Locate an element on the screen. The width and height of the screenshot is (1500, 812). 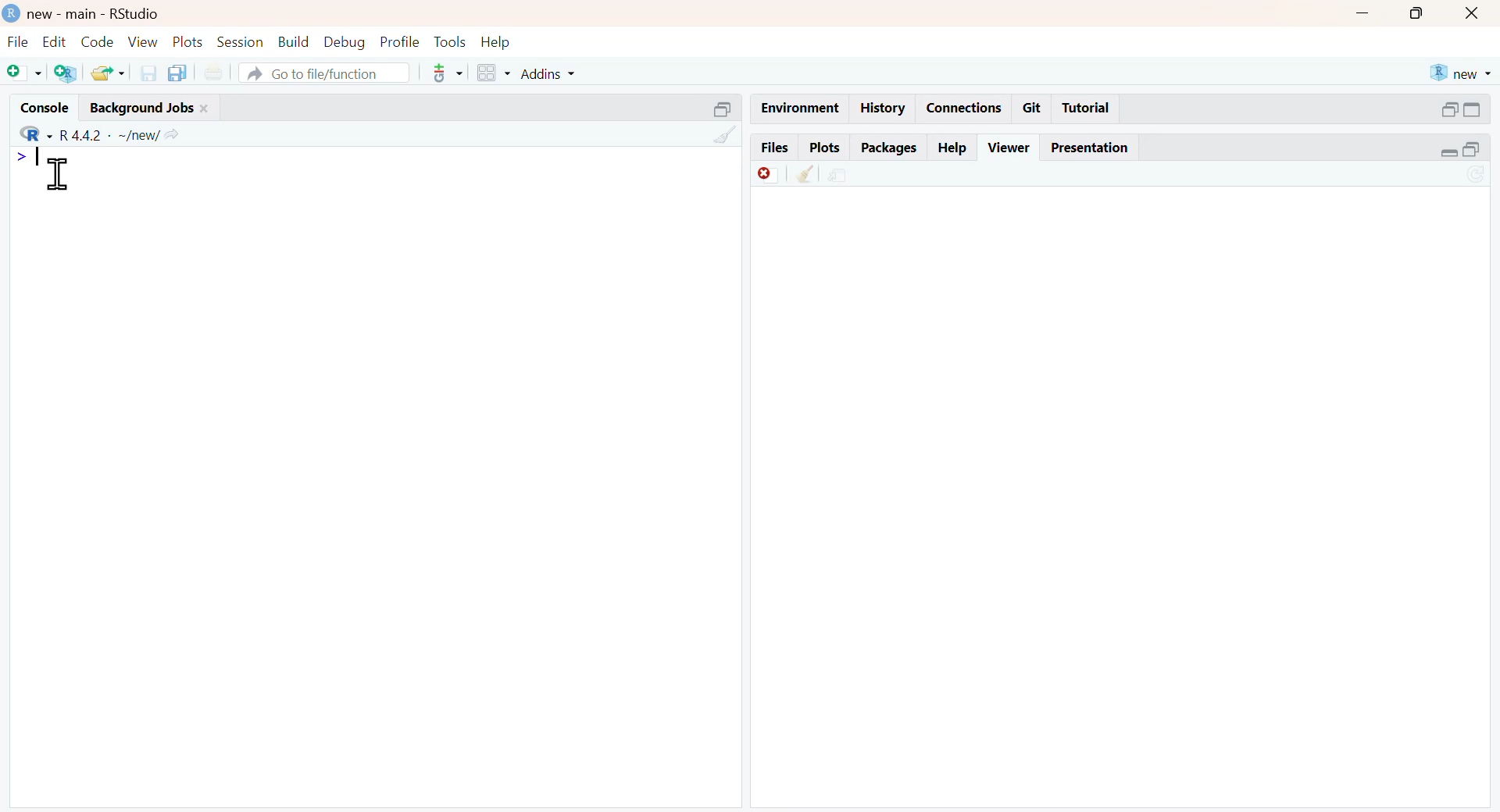
Git is located at coordinates (1031, 109).